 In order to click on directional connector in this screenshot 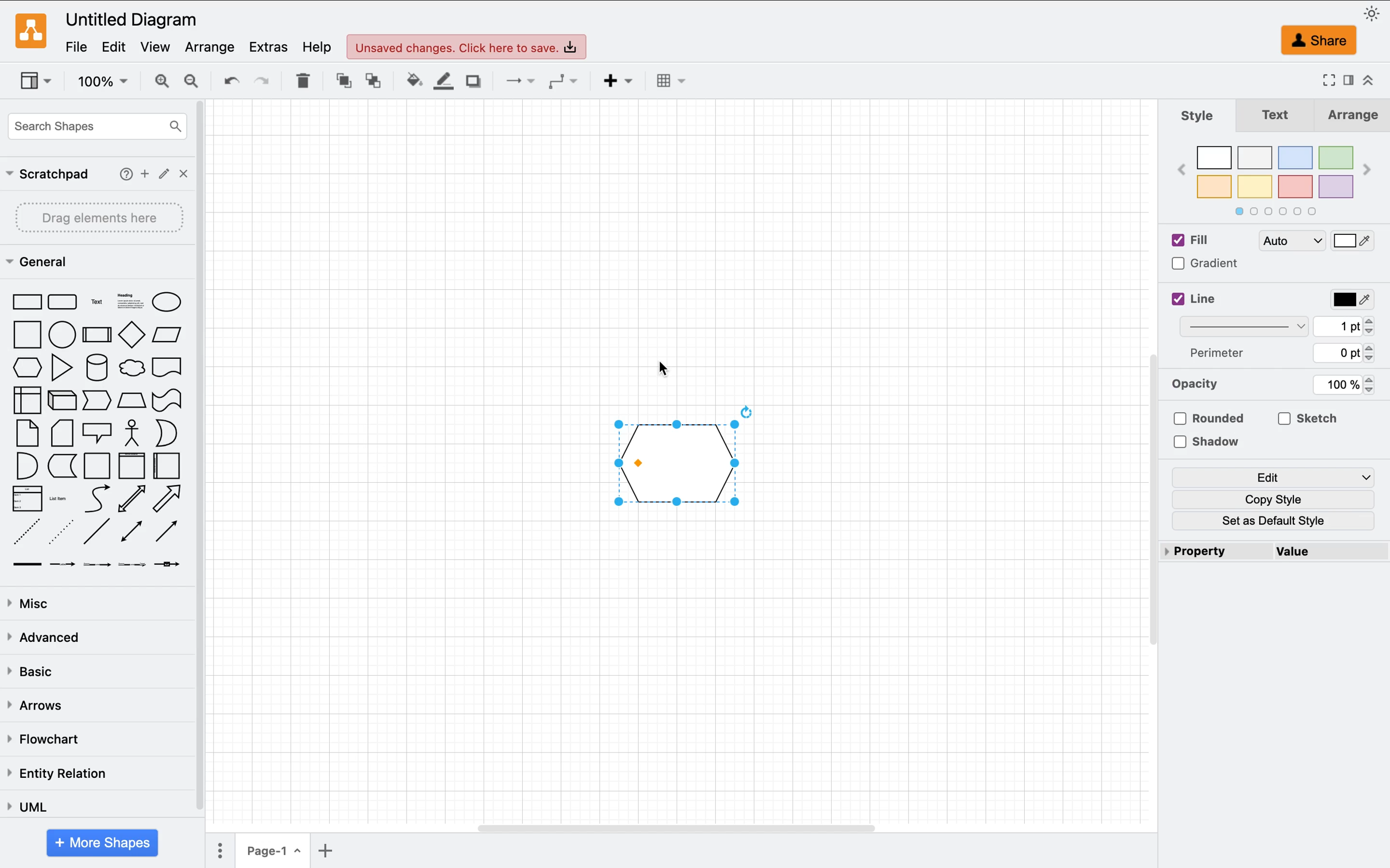, I will do `click(167, 532)`.